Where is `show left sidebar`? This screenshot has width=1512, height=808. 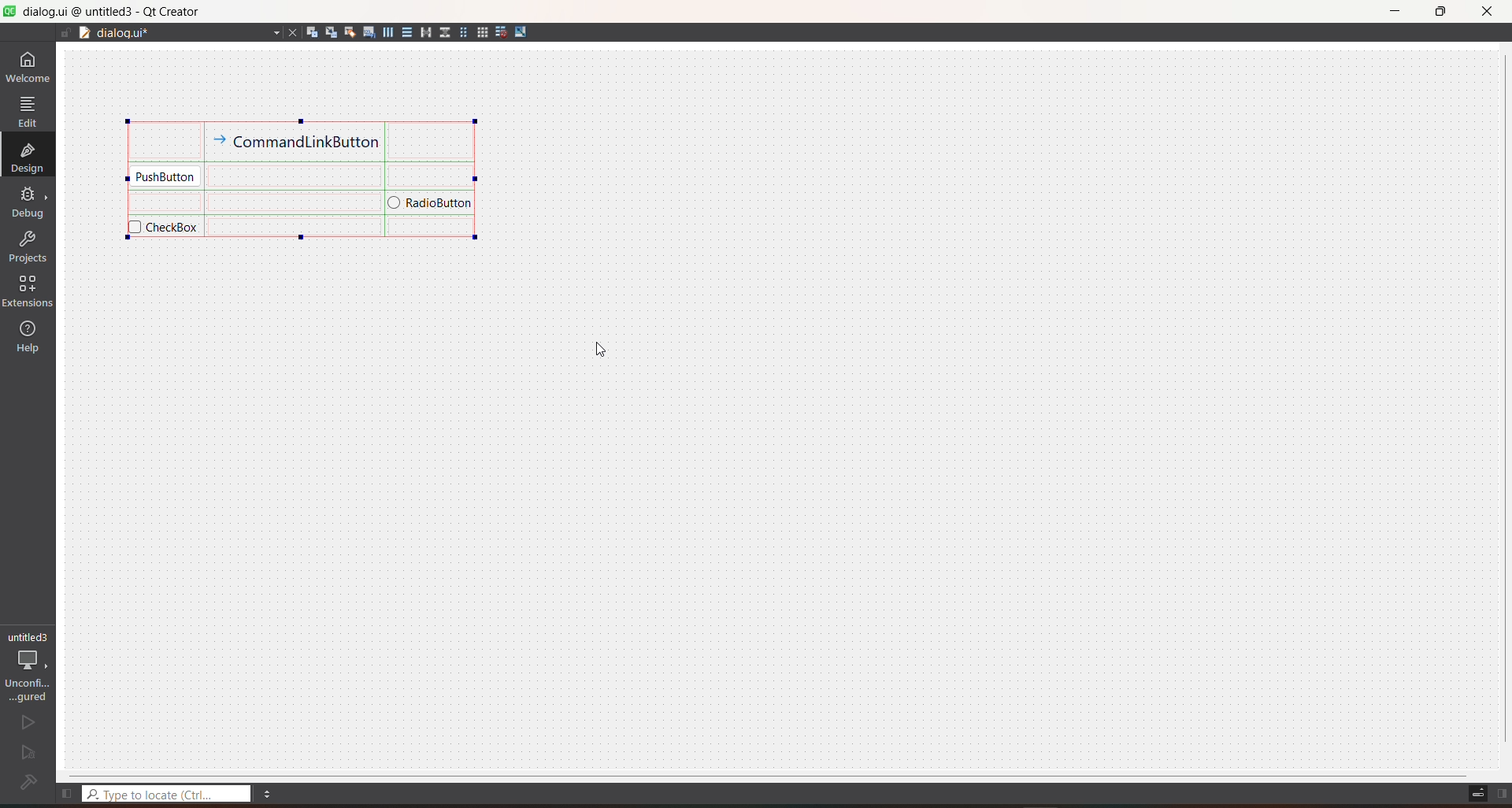
show left sidebar is located at coordinates (69, 794).